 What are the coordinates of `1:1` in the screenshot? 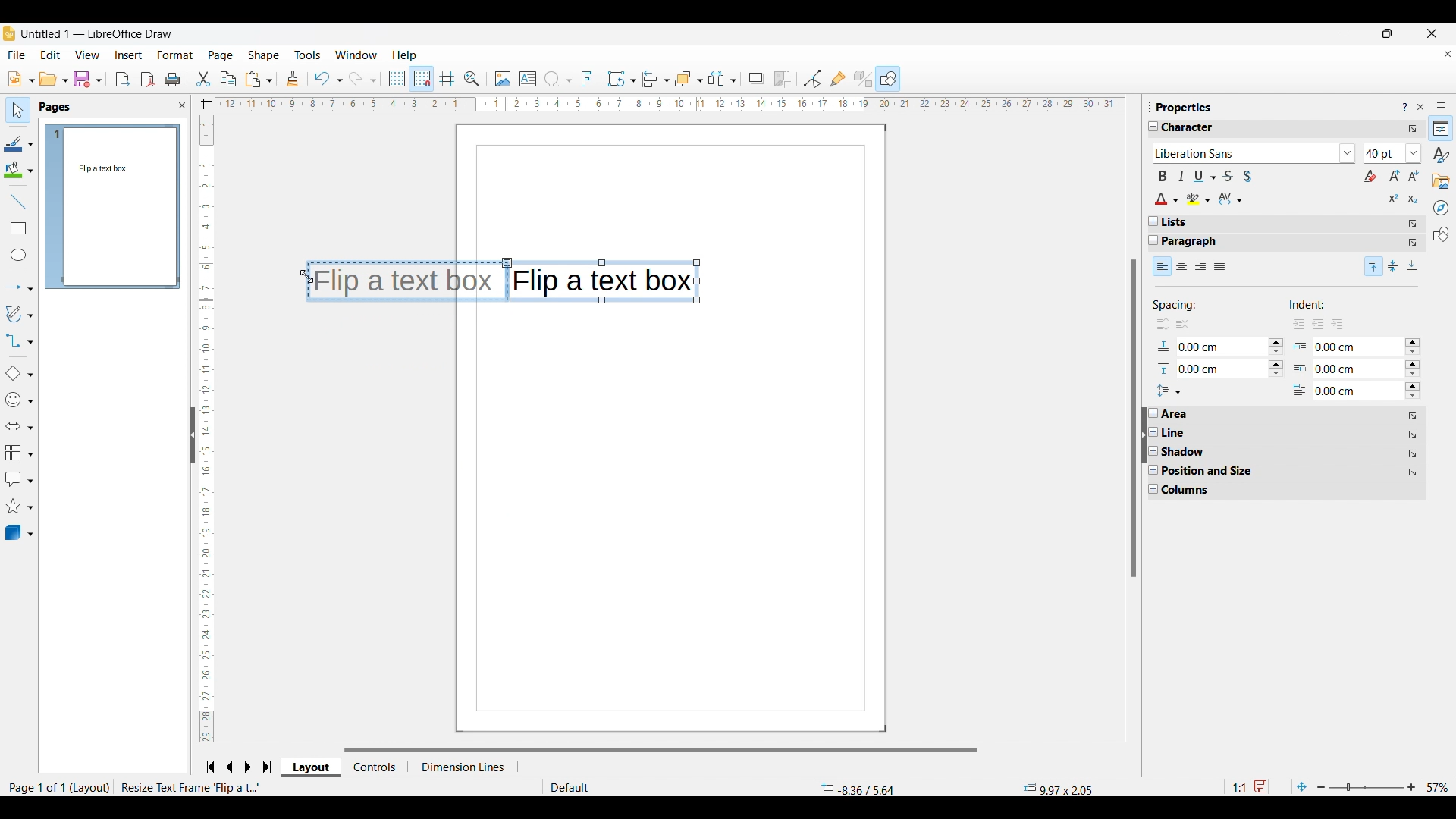 It's located at (1238, 787).